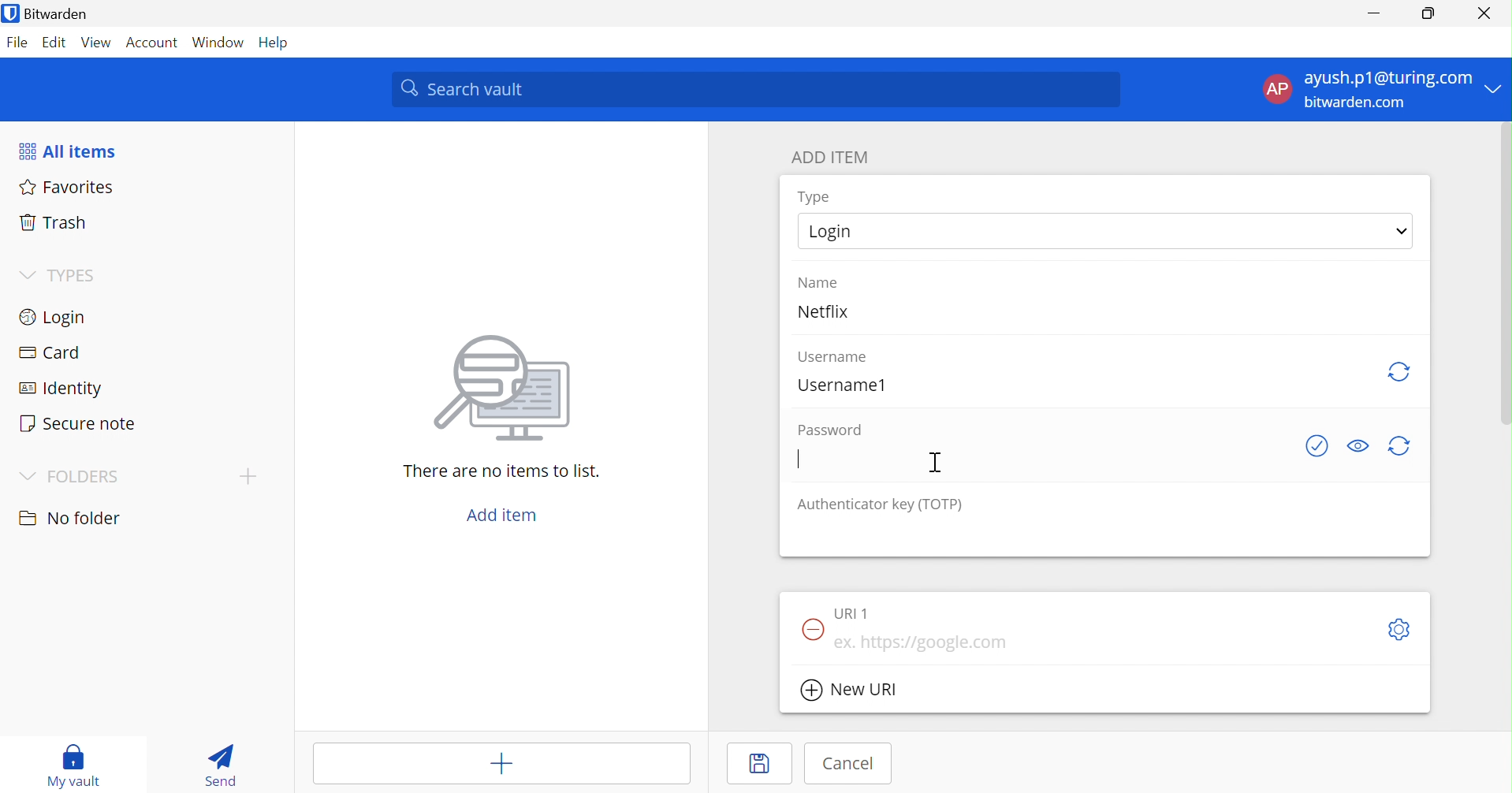  Describe the element at coordinates (68, 149) in the screenshot. I see `All items` at that location.